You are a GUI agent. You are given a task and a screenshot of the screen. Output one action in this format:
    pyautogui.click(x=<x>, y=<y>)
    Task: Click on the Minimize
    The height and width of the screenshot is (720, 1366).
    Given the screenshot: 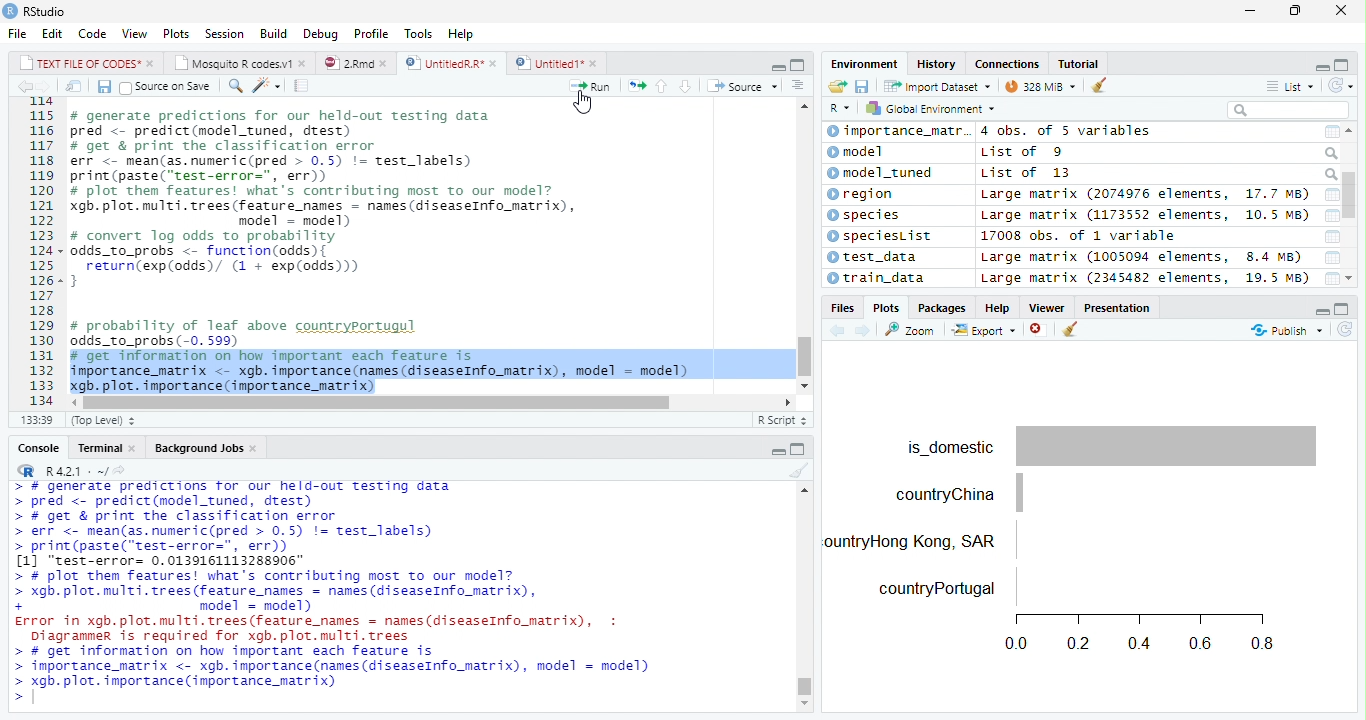 What is the action you would take?
    pyautogui.click(x=1322, y=309)
    